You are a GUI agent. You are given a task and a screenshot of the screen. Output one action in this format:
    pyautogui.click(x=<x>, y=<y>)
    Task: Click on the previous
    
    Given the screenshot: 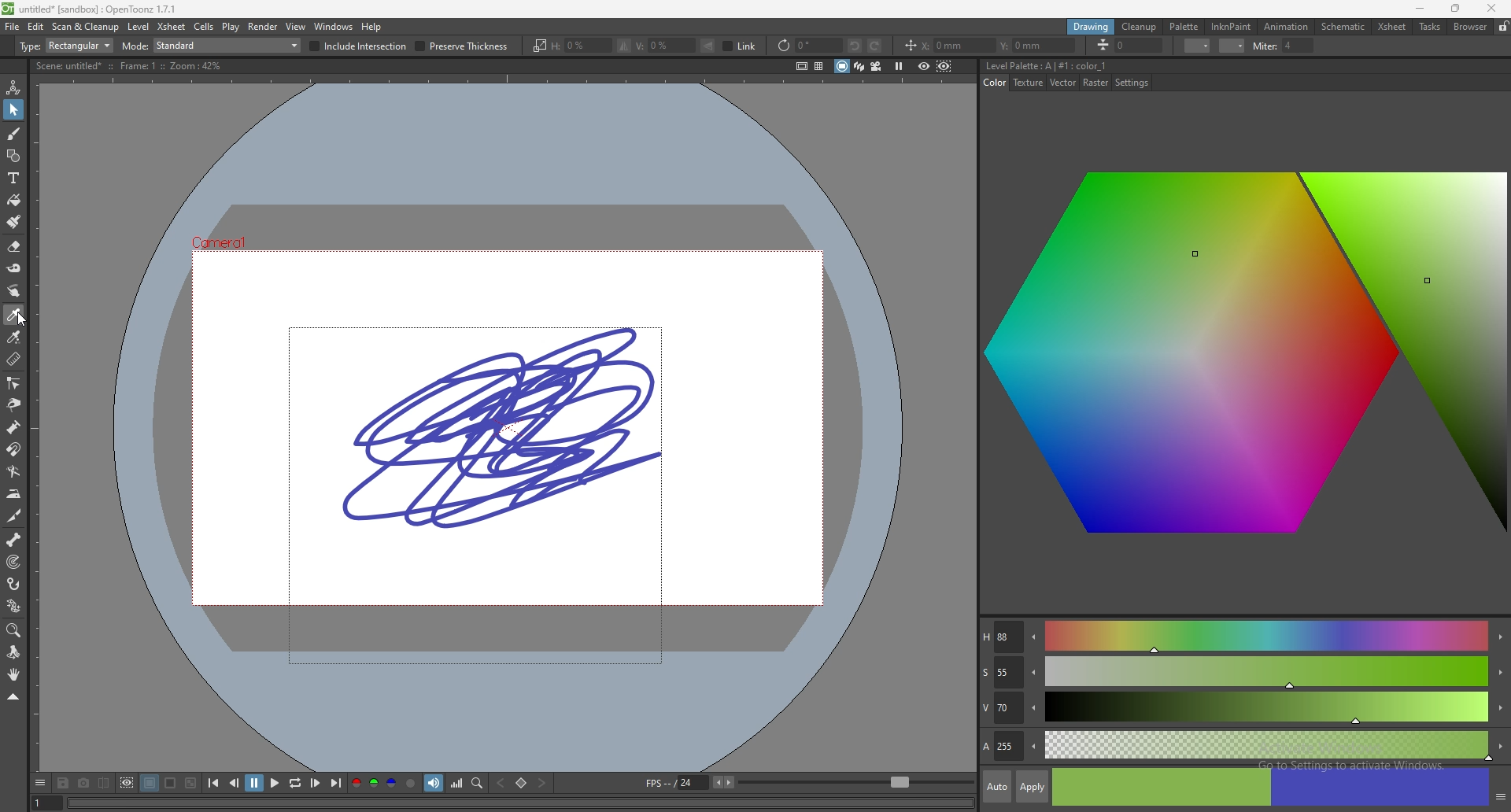 What is the action you would take?
    pyautogui.click(x=234, y=783)
    